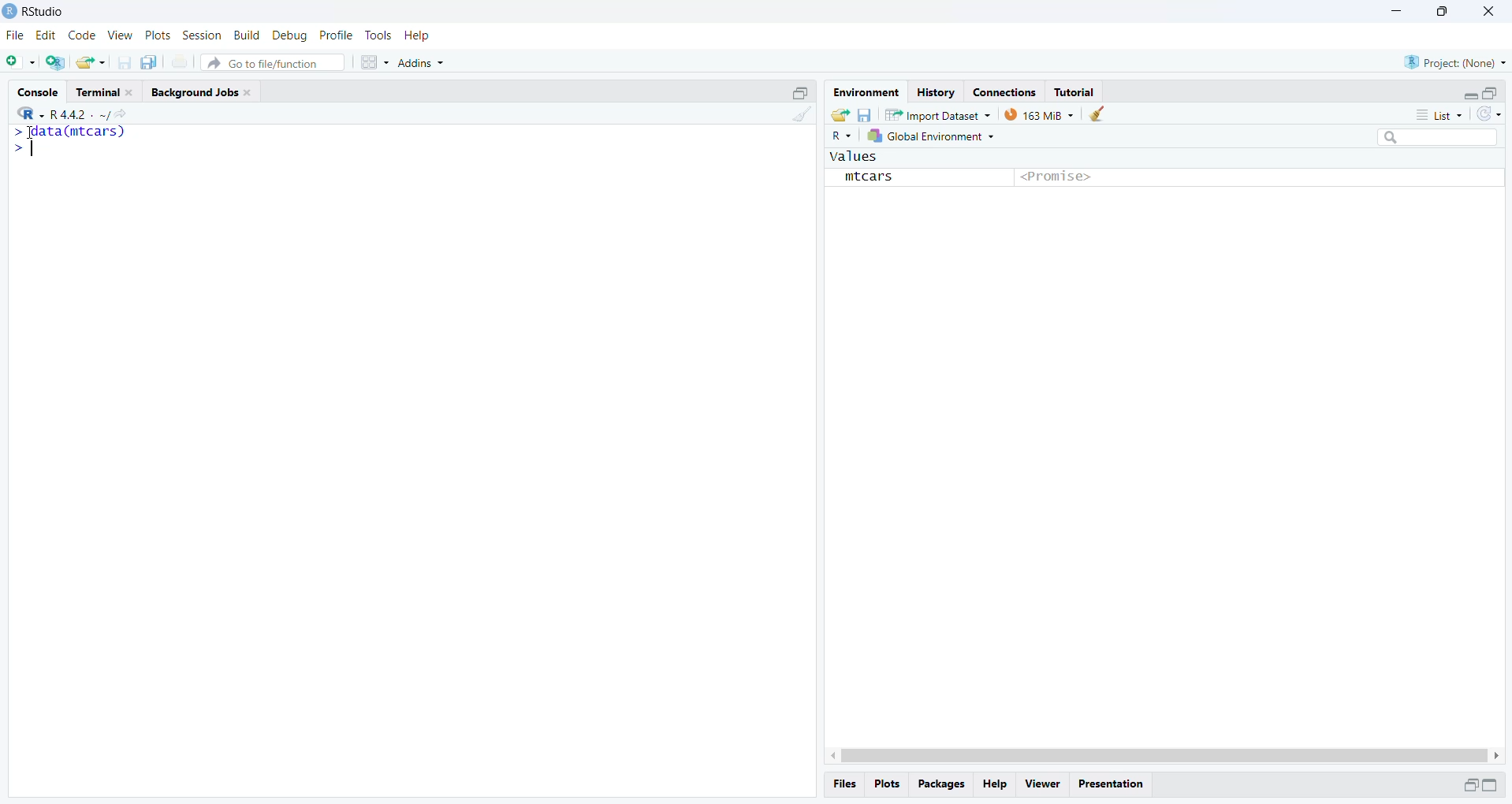 The height and width of the screenshot is (804, 1512). Describe the element at coordinates (1499, 755) in the screenshot. I see `scroll right` at that location.